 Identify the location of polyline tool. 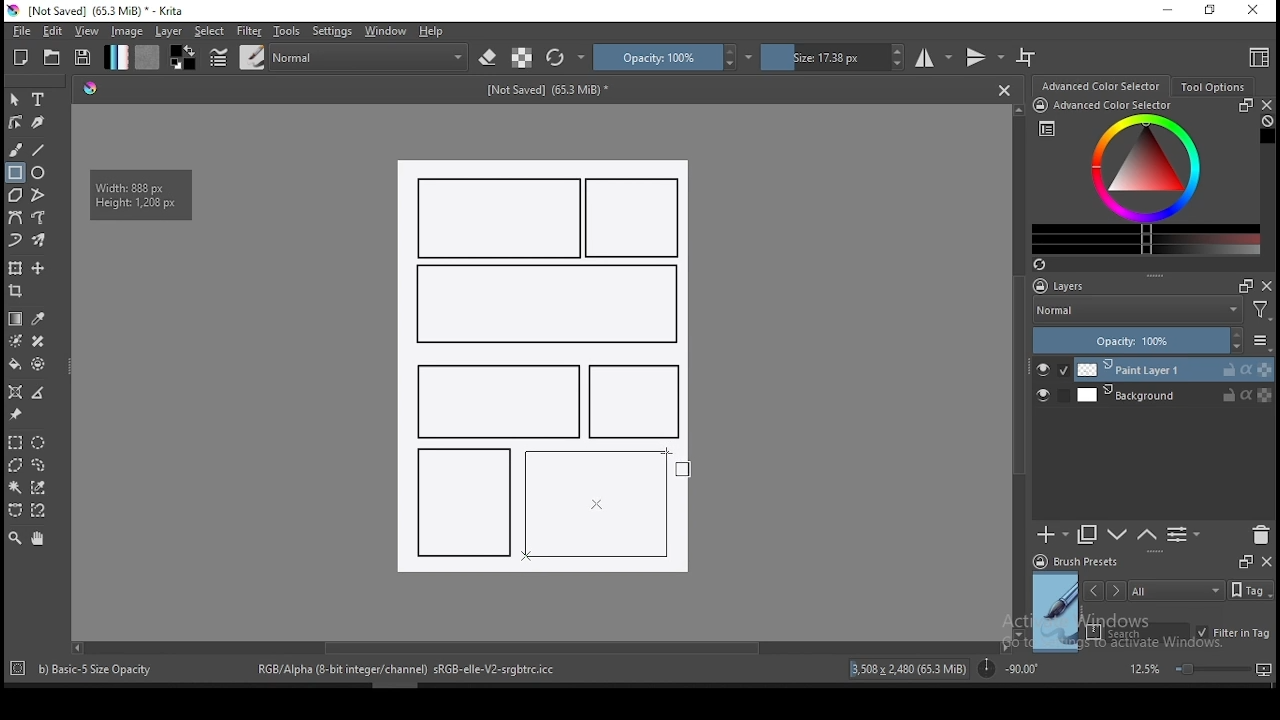
(38, 193).